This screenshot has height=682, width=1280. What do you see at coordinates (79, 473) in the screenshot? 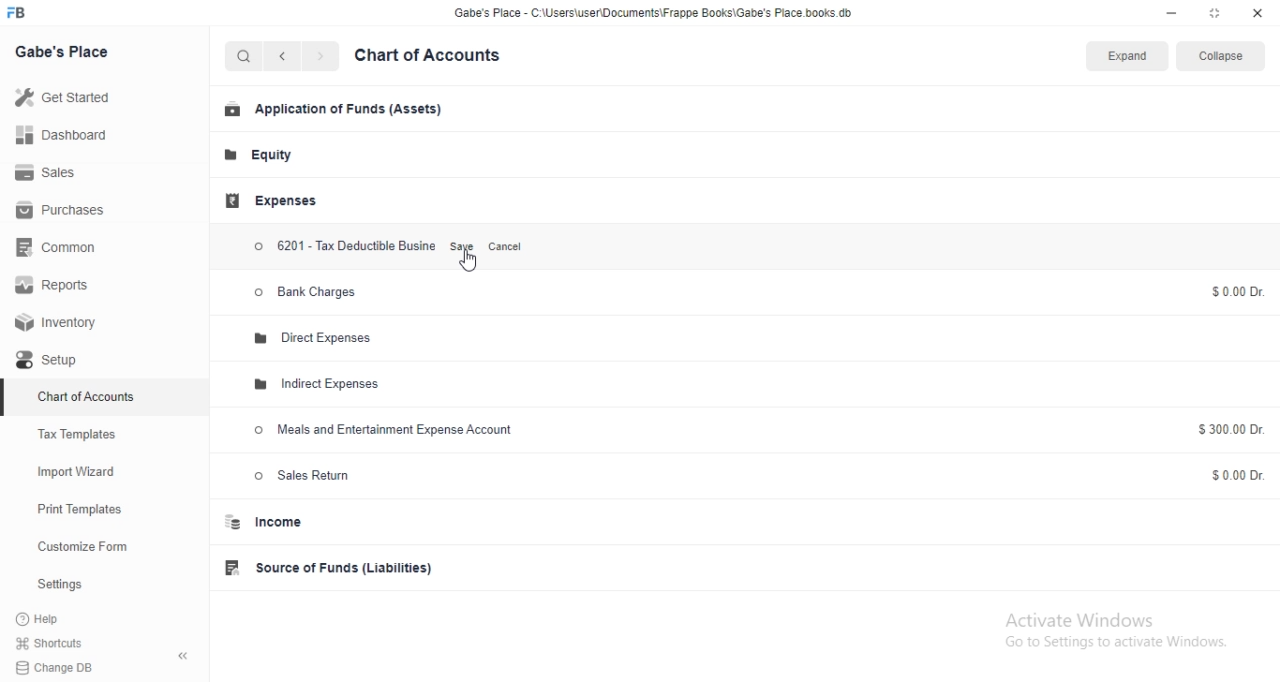
I see `Import Wizard` at bounding box center [79, 473].